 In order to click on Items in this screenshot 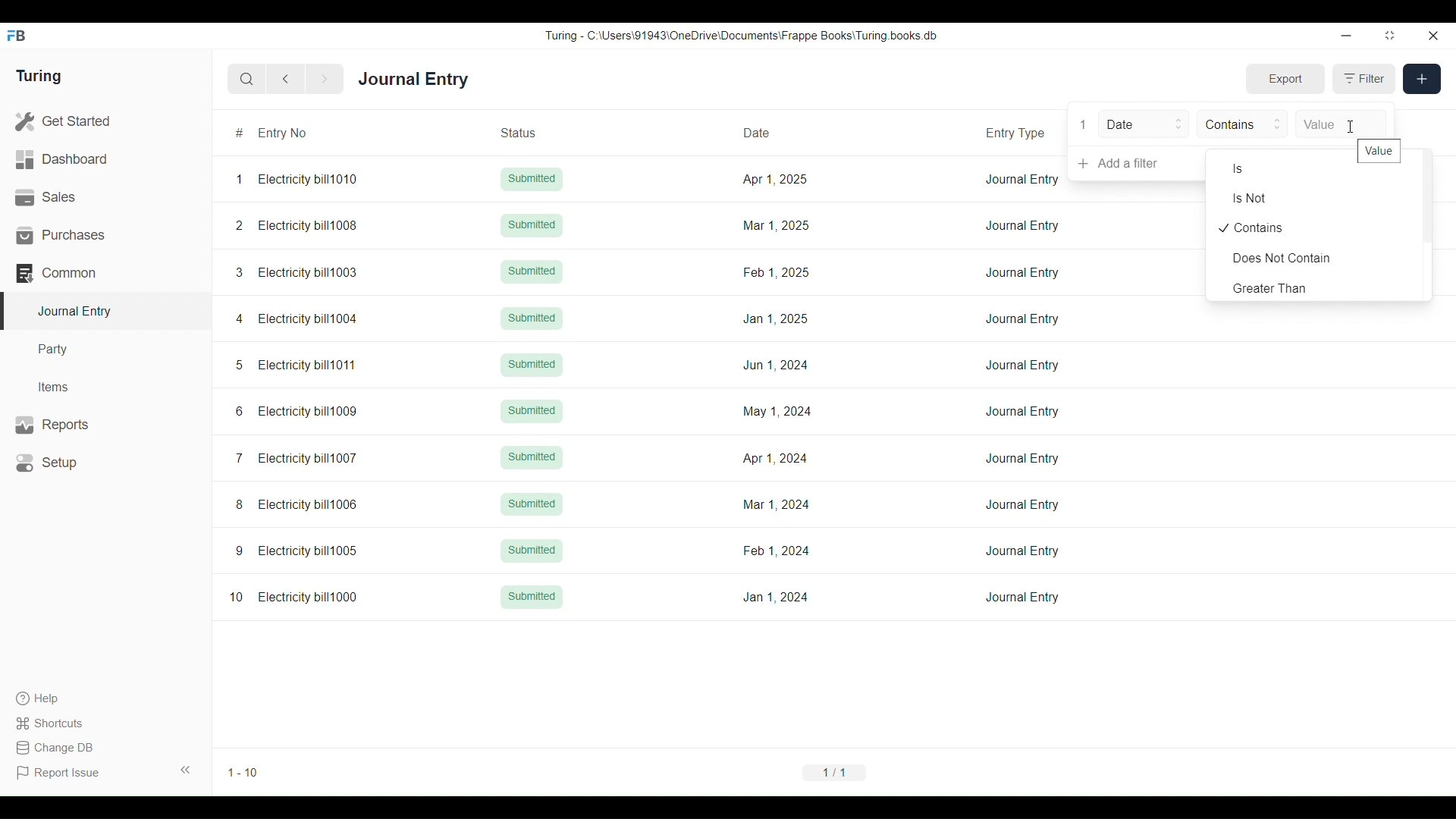, I will do `click(106, 388)`.